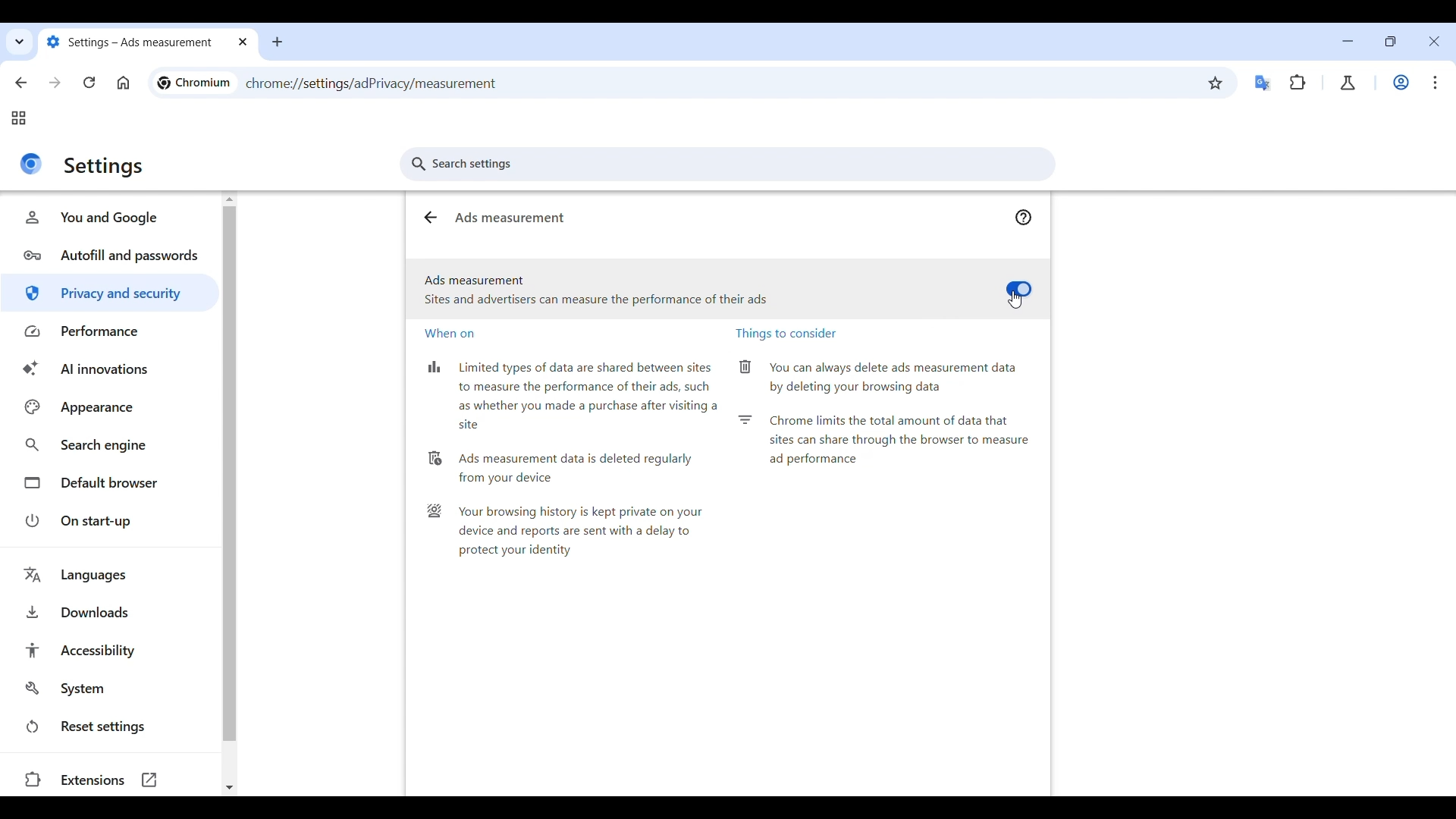  Describe the element at coordinates (111, 650) in the screenshot. I see `Accessibility` at that location.